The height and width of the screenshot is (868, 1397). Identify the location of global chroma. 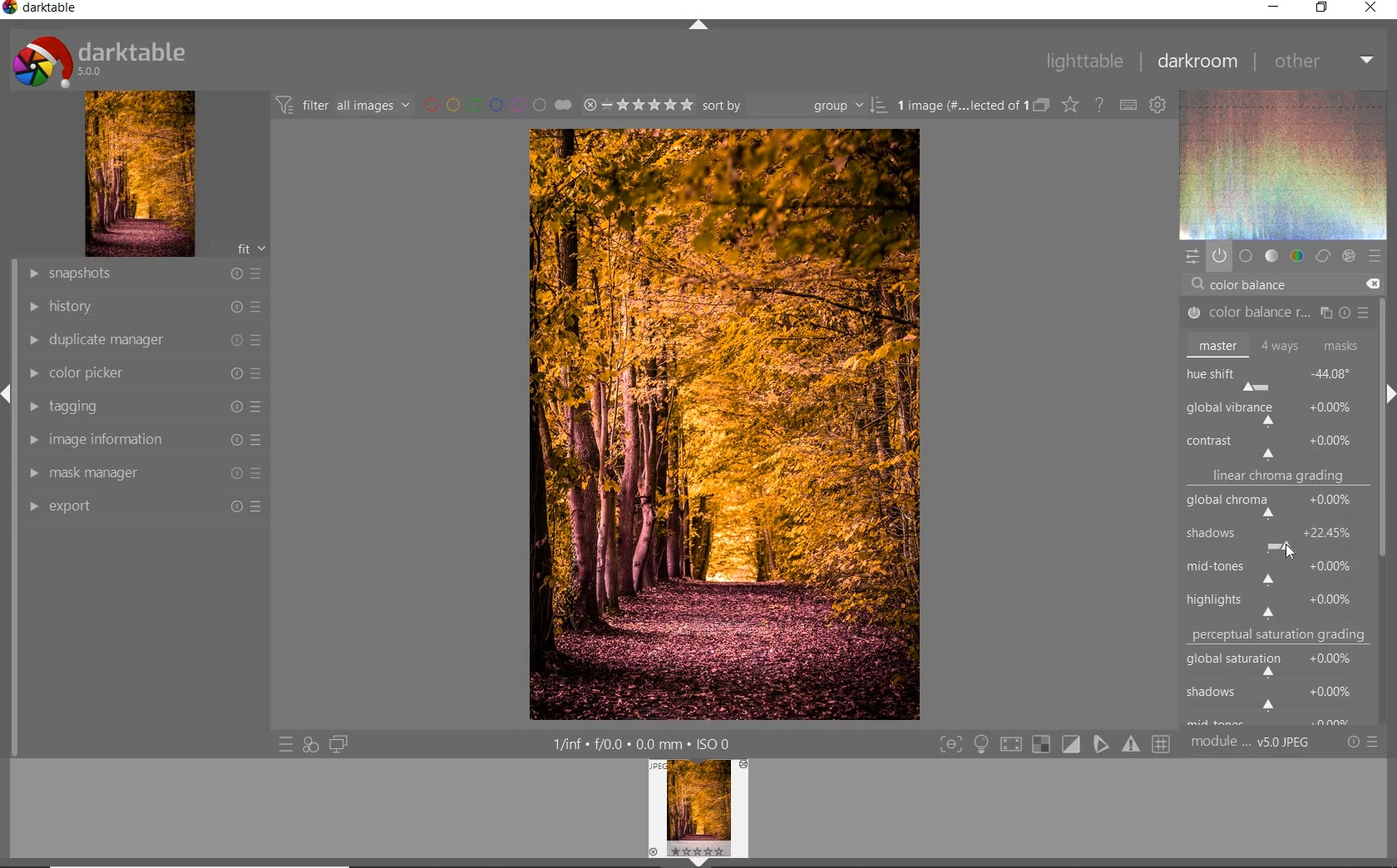
(1279, 508).